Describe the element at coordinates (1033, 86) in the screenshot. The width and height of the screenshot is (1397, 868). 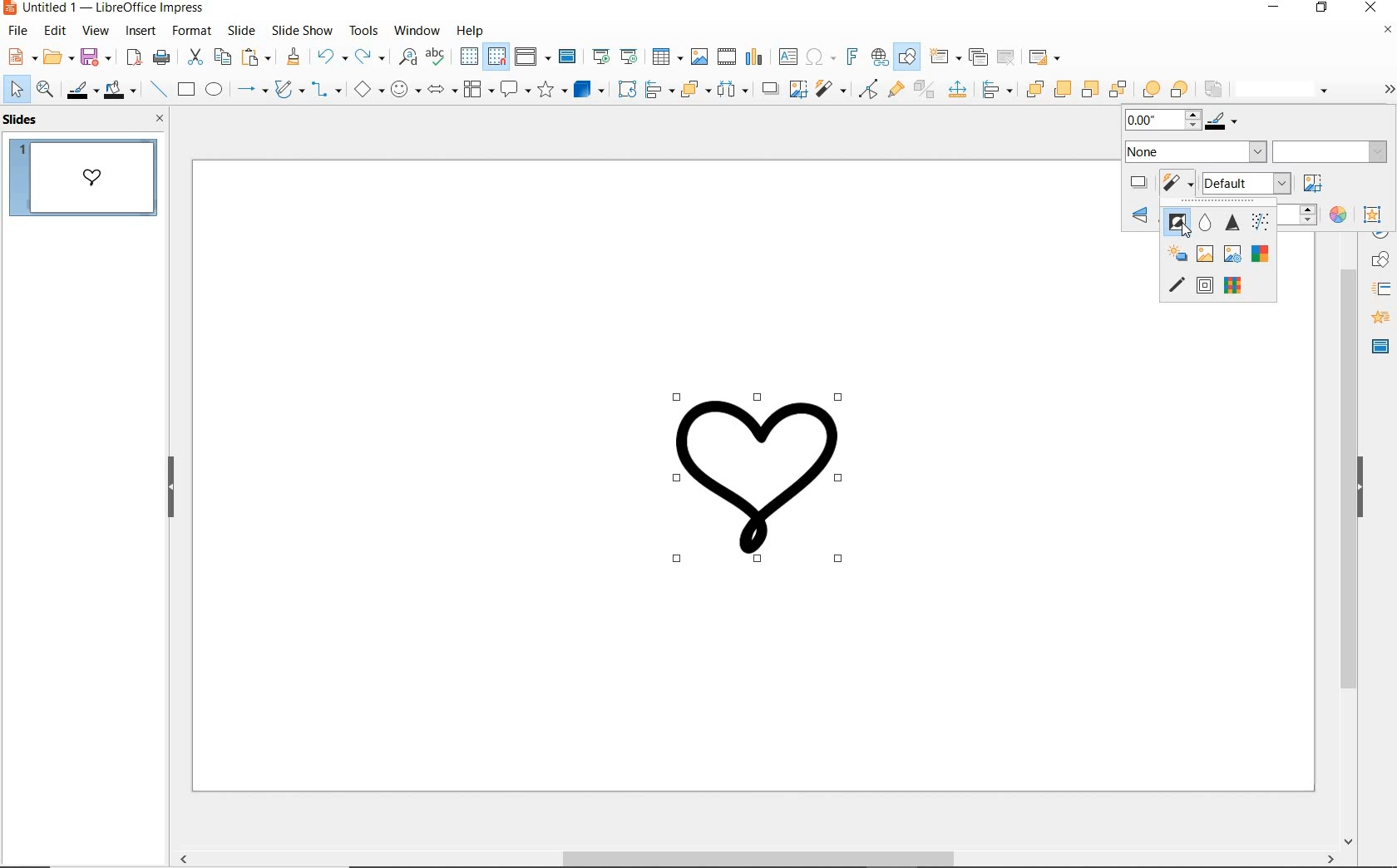
I see `bring to front` at that location.